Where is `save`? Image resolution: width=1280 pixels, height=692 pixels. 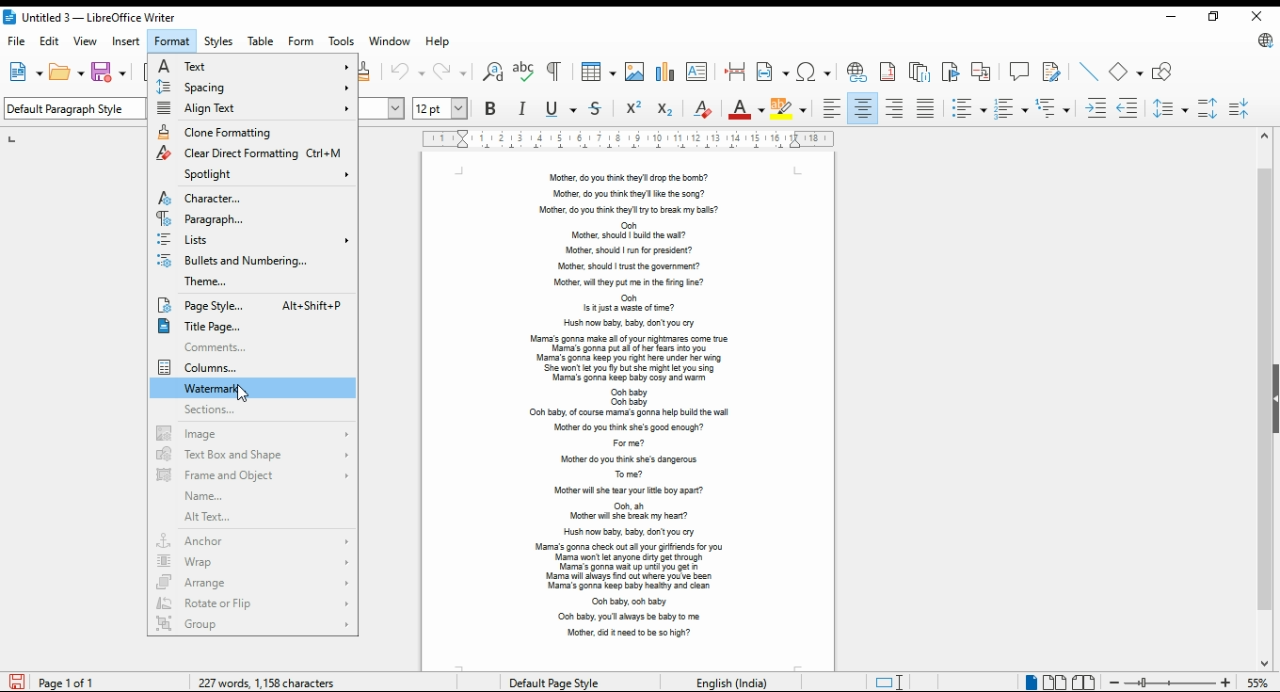 save is located at coordinates (110, 71).